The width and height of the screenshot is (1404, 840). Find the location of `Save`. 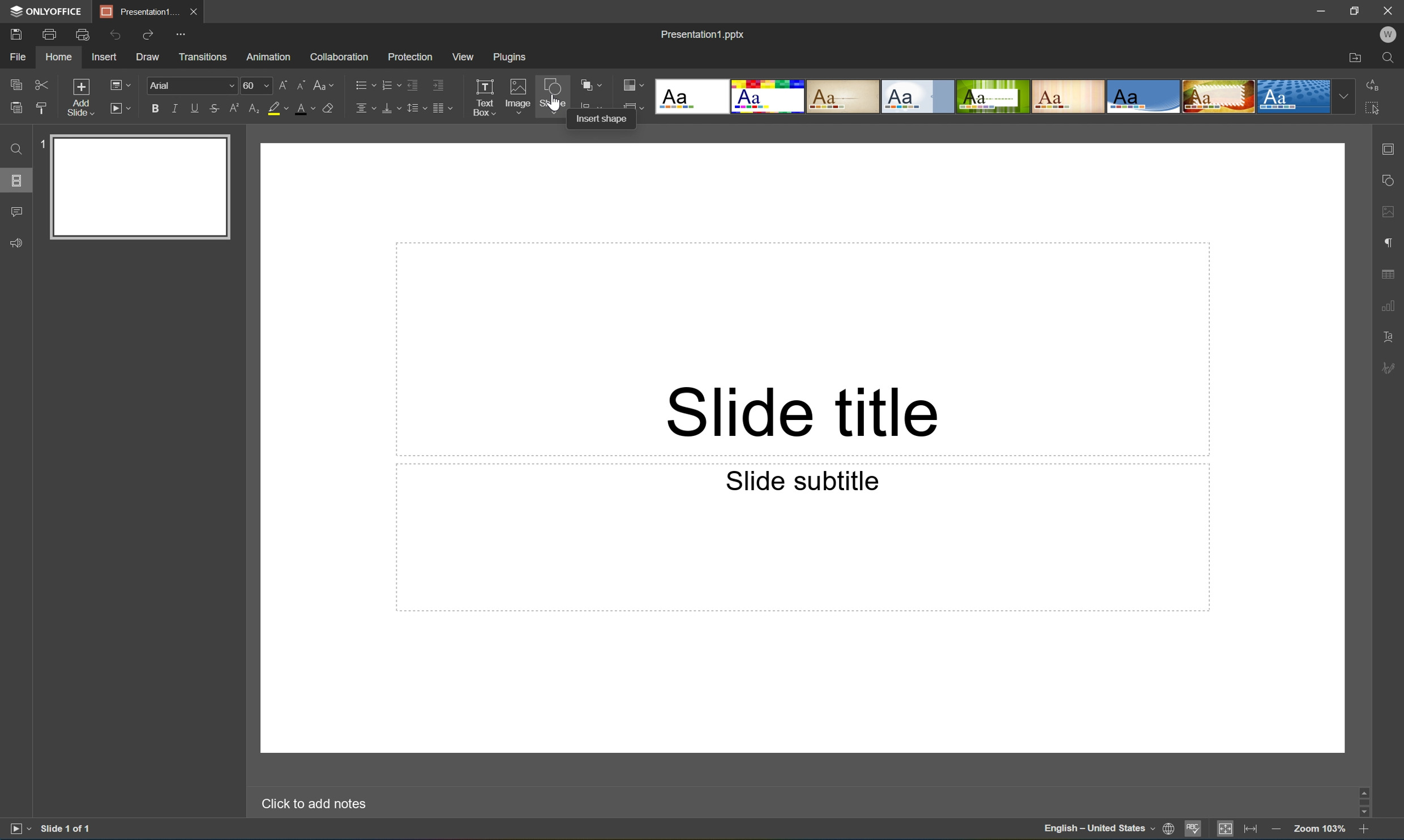

Save is located at coordinates (19, 35).